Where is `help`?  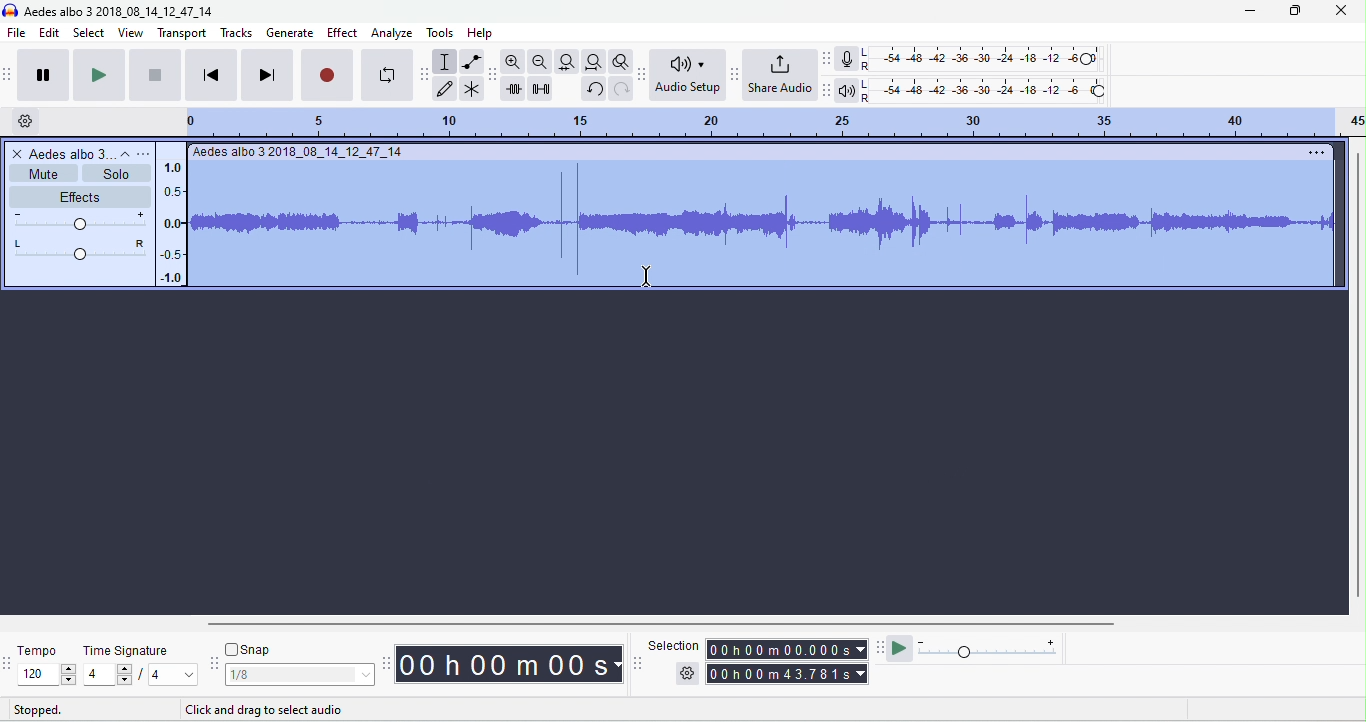 help is located at coordinates (482, 34).